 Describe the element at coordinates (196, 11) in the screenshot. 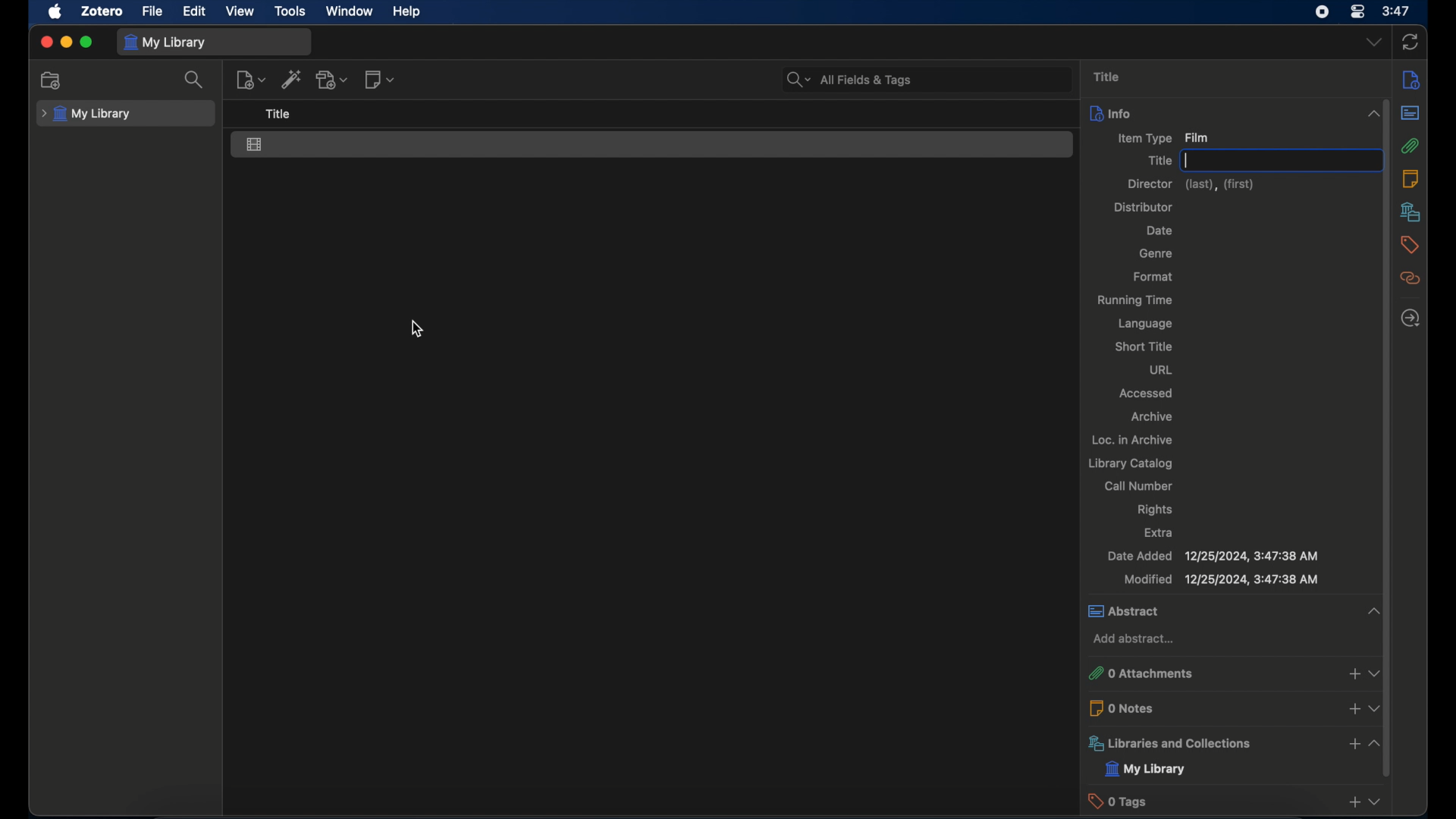

I see `edit` at that location.